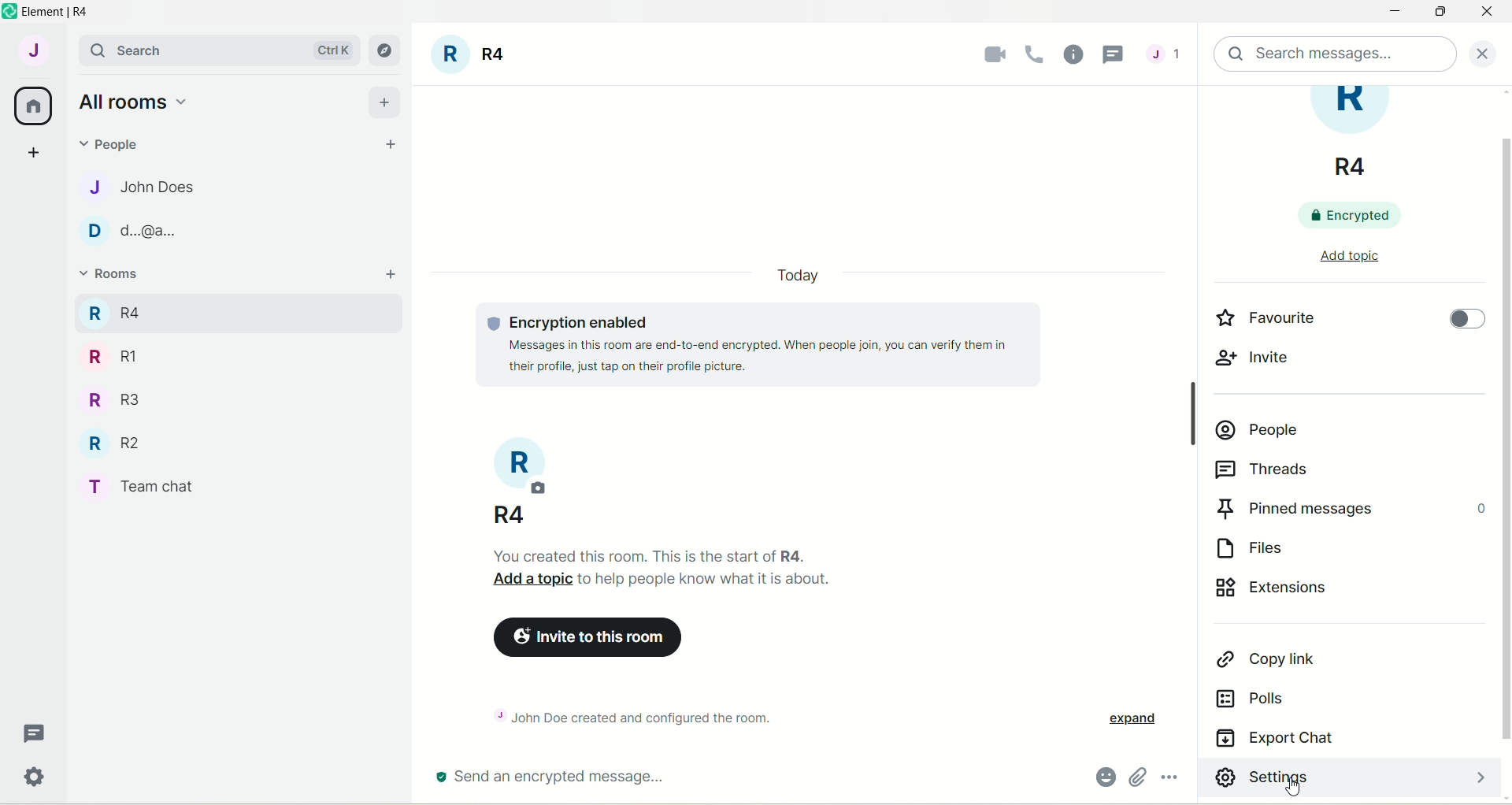 The height and width of the screenshot is (805, 1512). What do you see at coordinates (521, 467) in the screenshot?
I see `room title` at bounding box center [521, 467].